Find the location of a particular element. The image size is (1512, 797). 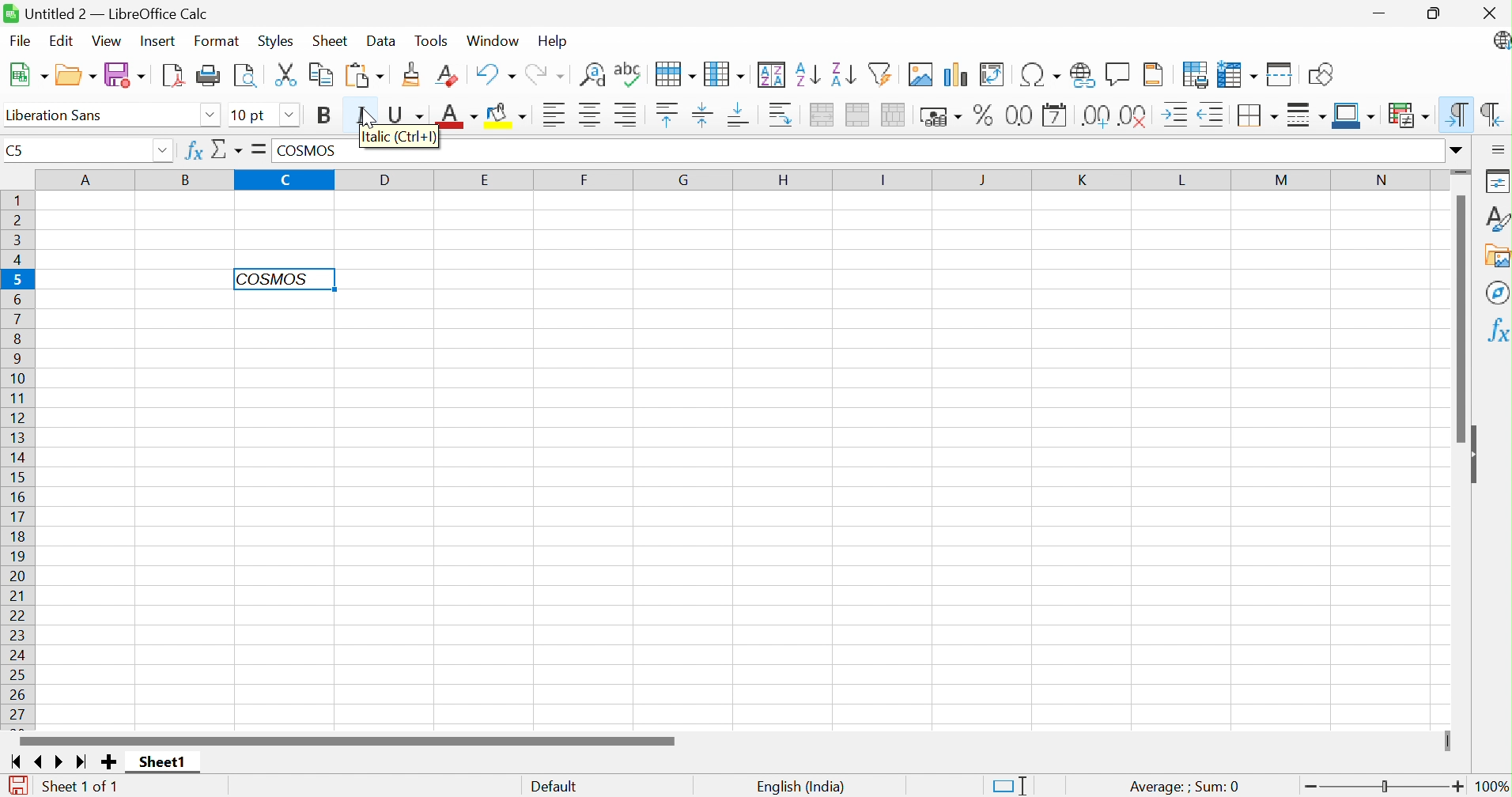

Font size is located at coordinates (252, 115).